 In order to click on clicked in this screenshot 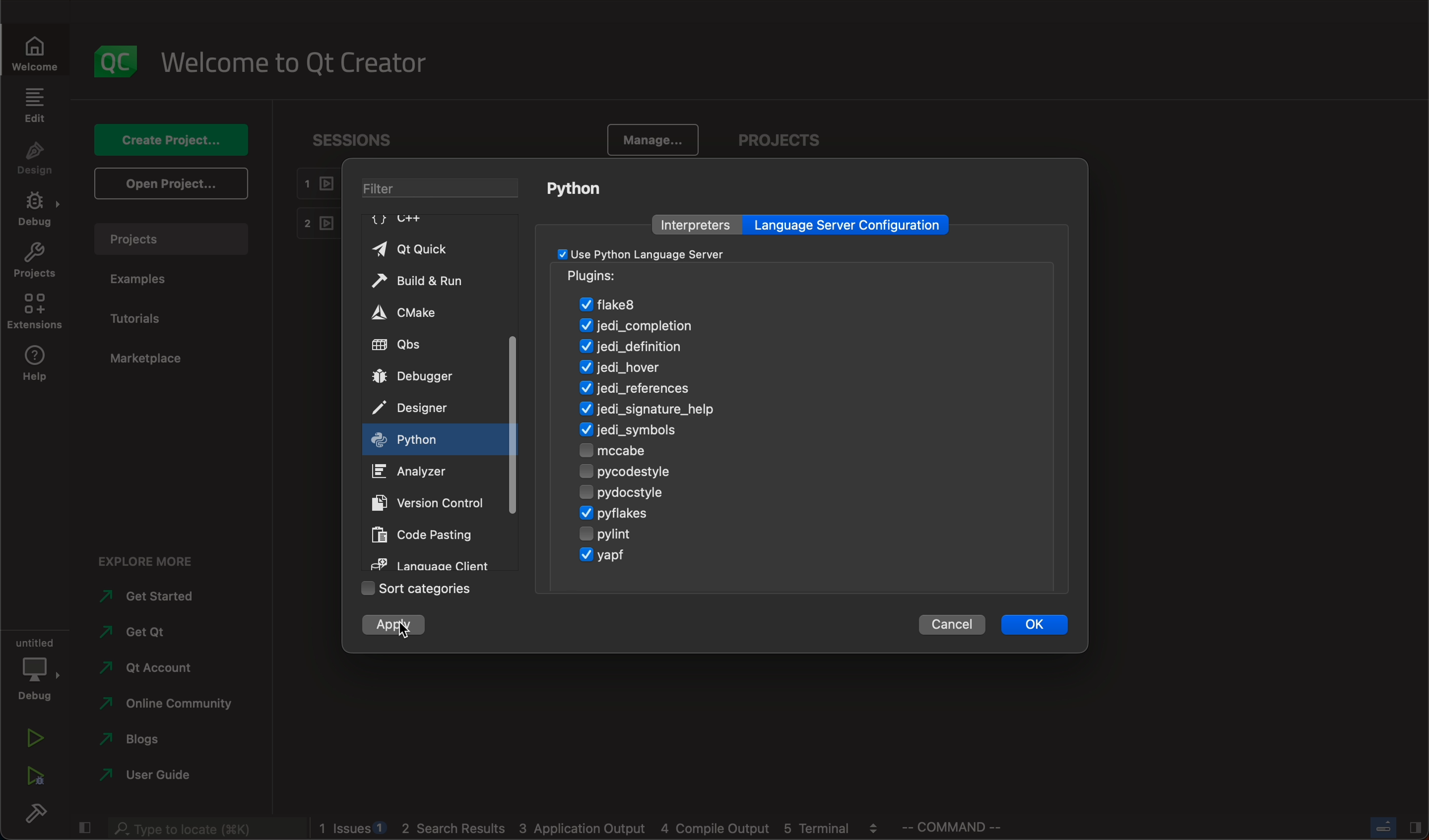, I will do `click(399, 627)`.